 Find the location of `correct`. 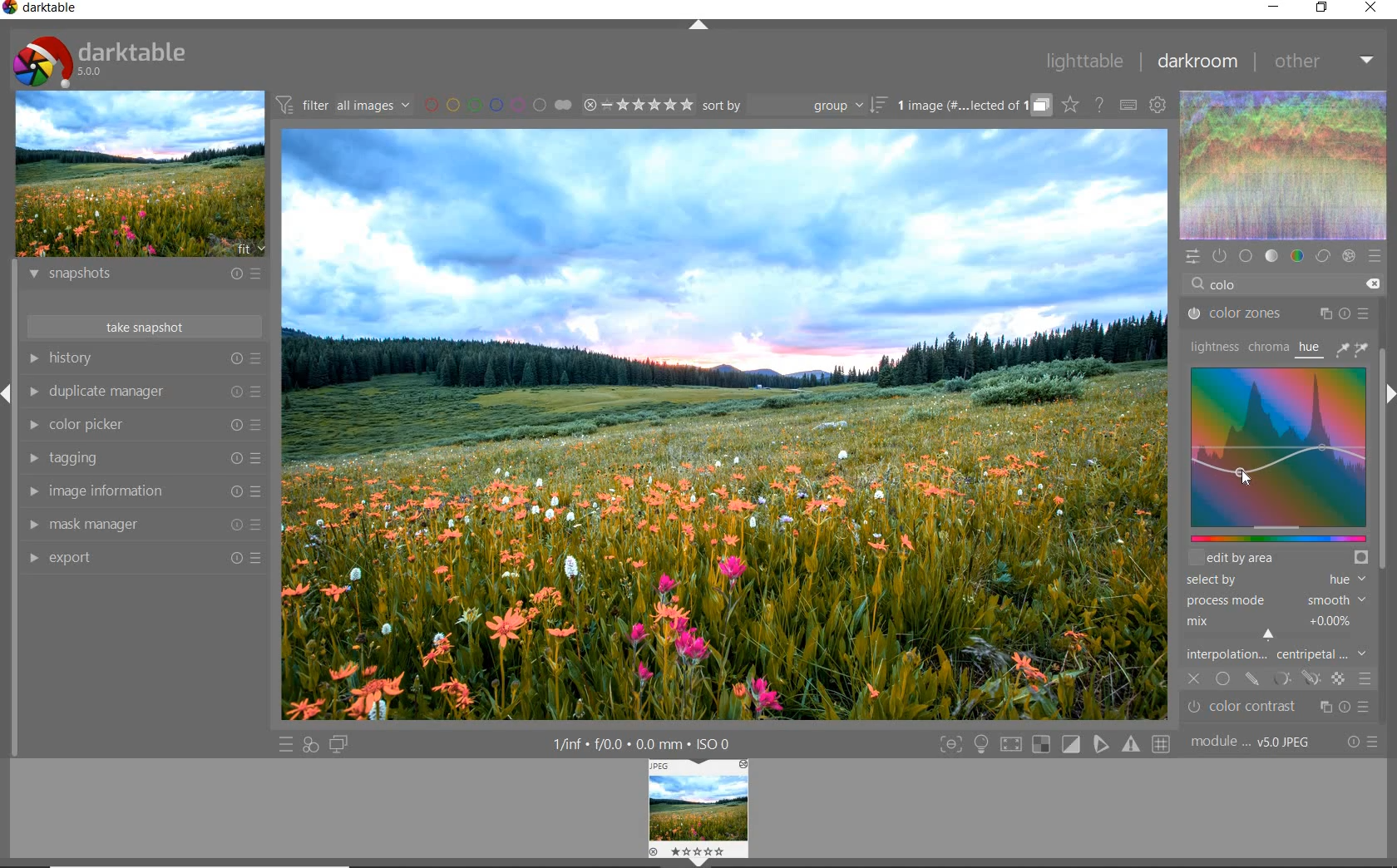

correct is located at coordinates (1322, 255).